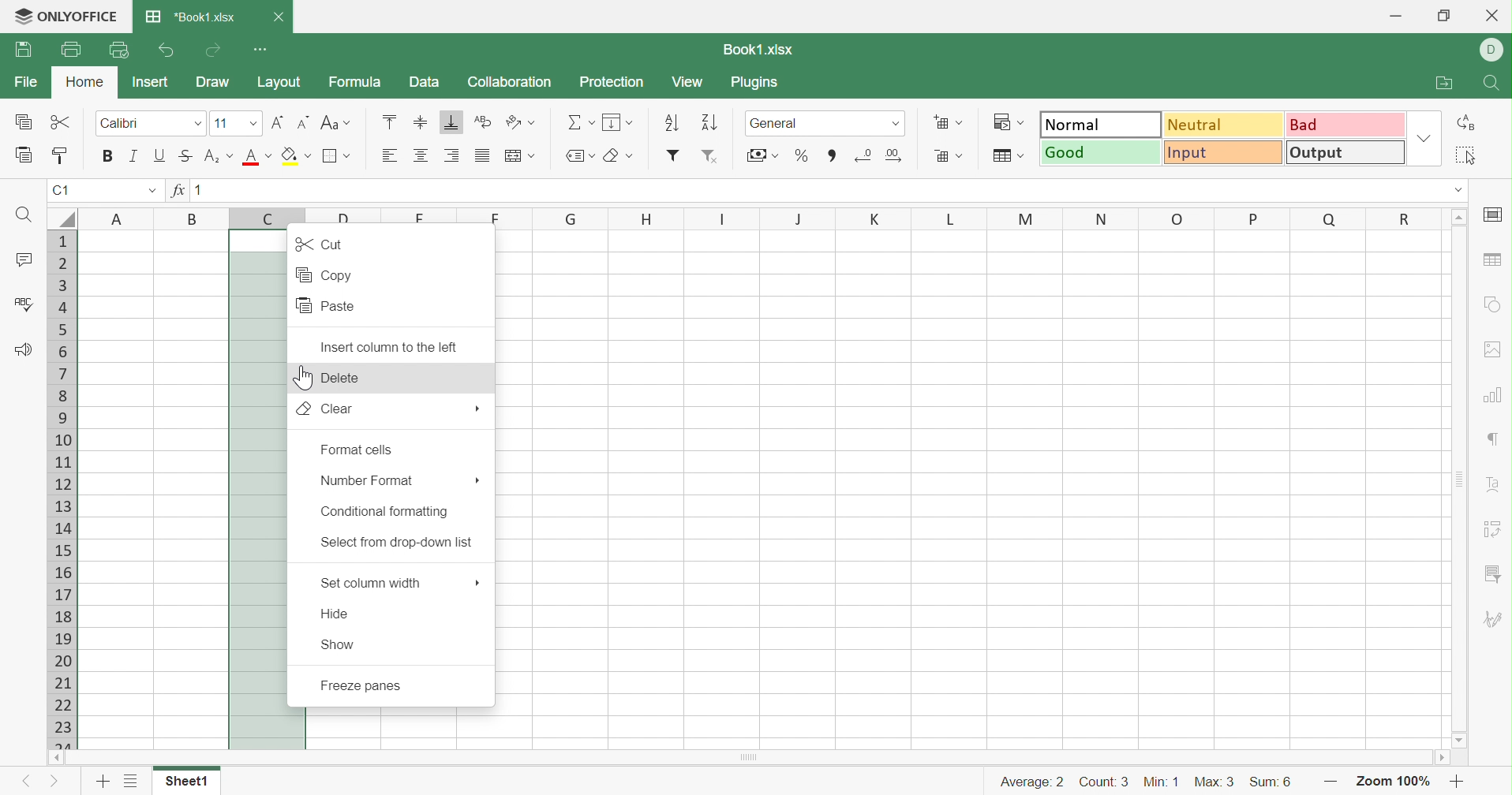 This screenshot has height=795, width=1512. I want to click on Drop Down, so click(961, 121).